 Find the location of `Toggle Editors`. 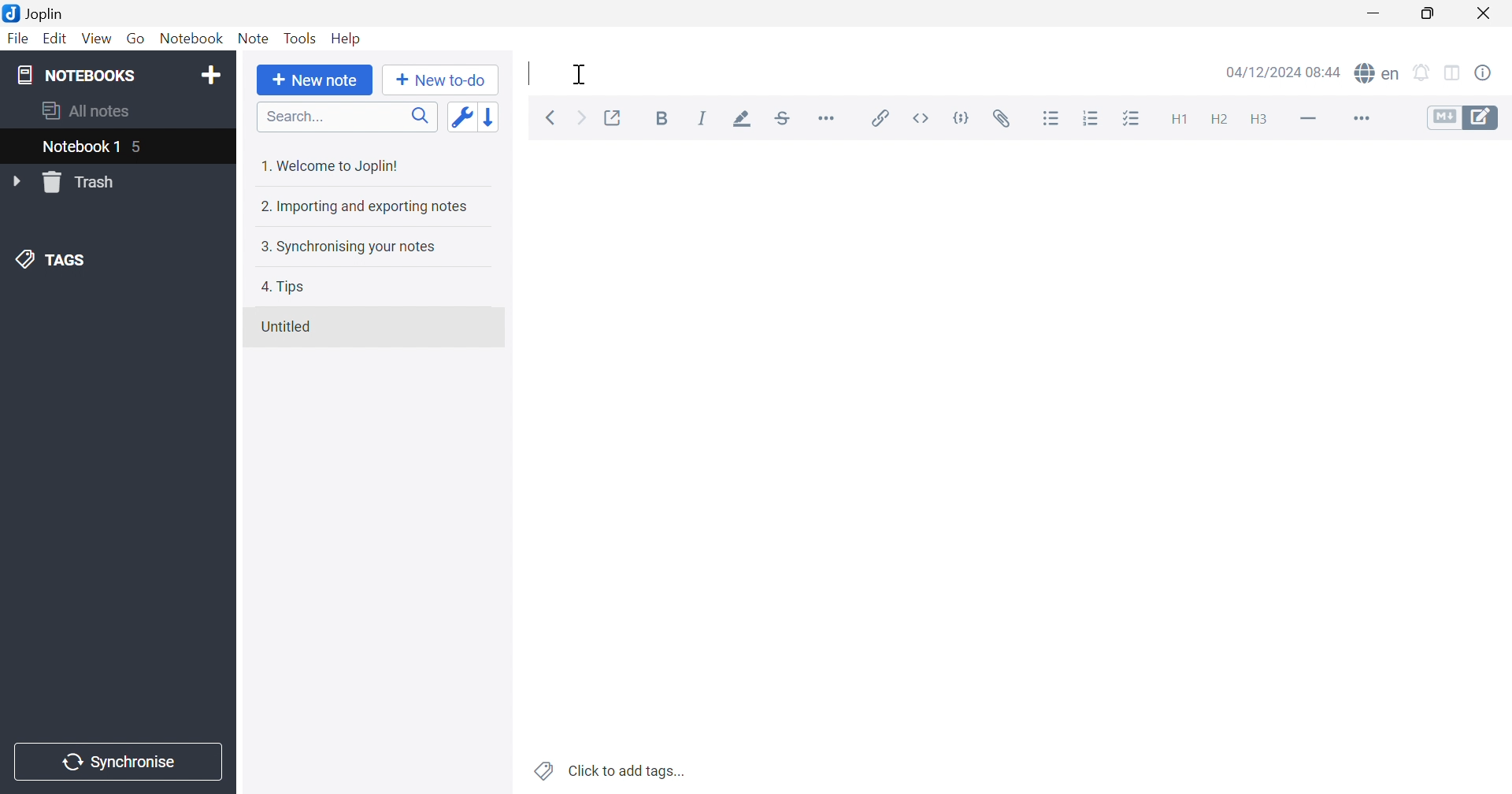

Toggle Editors is located at coordinates (1458, 121).